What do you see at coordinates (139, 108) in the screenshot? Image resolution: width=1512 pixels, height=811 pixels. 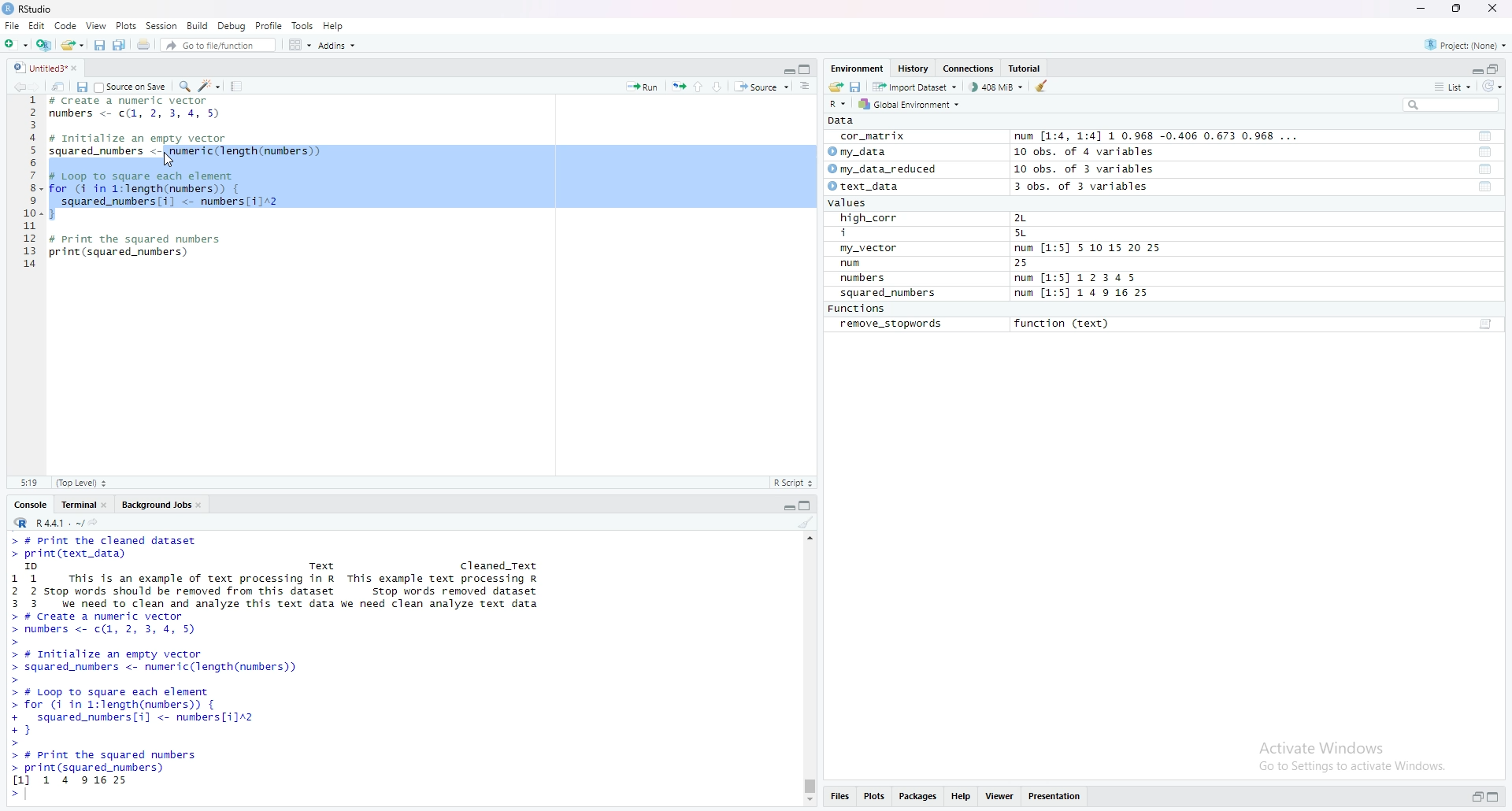 I see `# Create a number vector numbers <- c(1, 2, 3, 4,5)` at bounding box center [139, 108].